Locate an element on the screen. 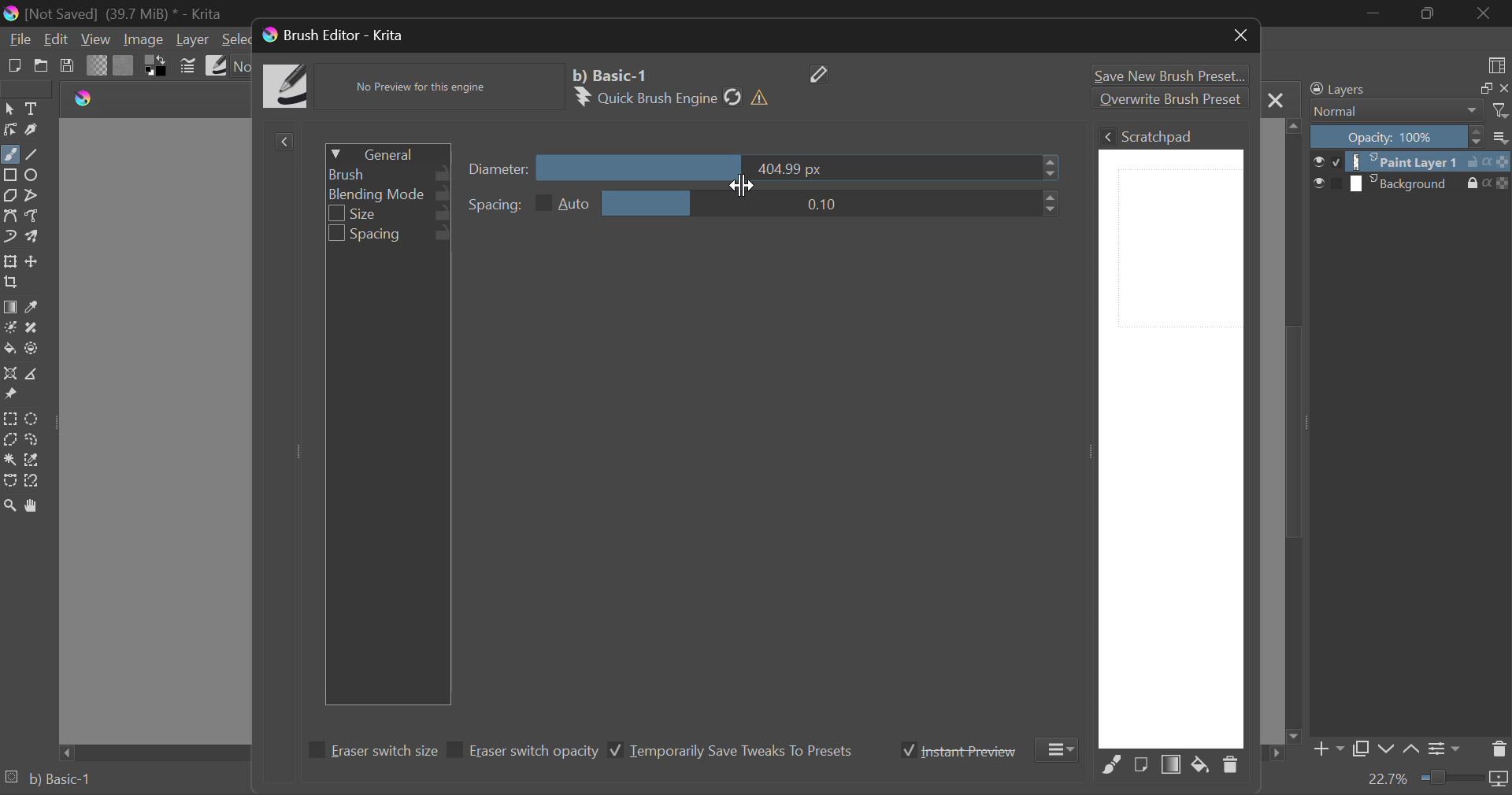  Brush Icon is located at coordinates (287, 87).